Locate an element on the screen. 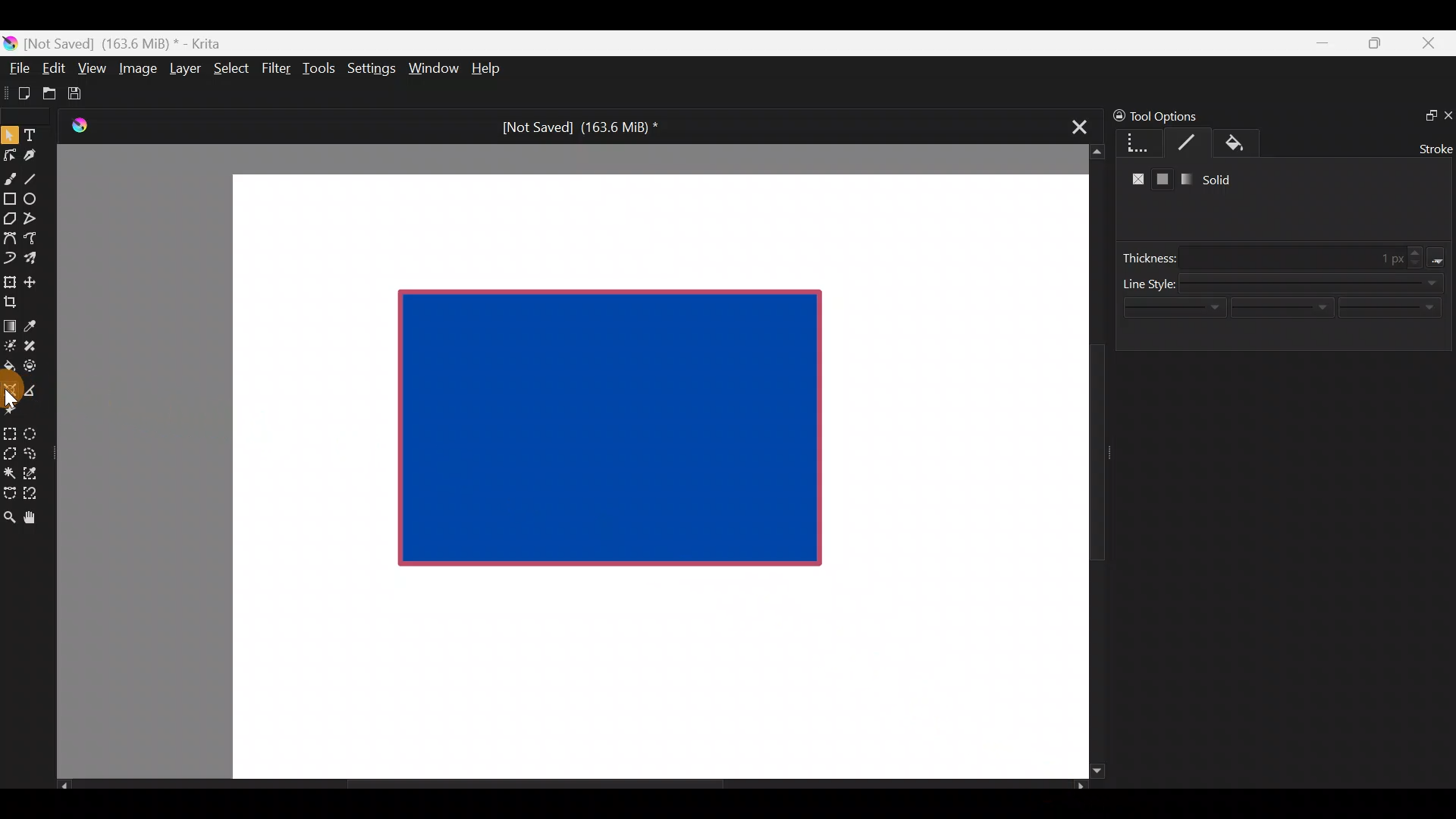 Image resolution: width=1456 pixels, height=819 pixels. Multibrush tool is located at coordinates (36, 257).